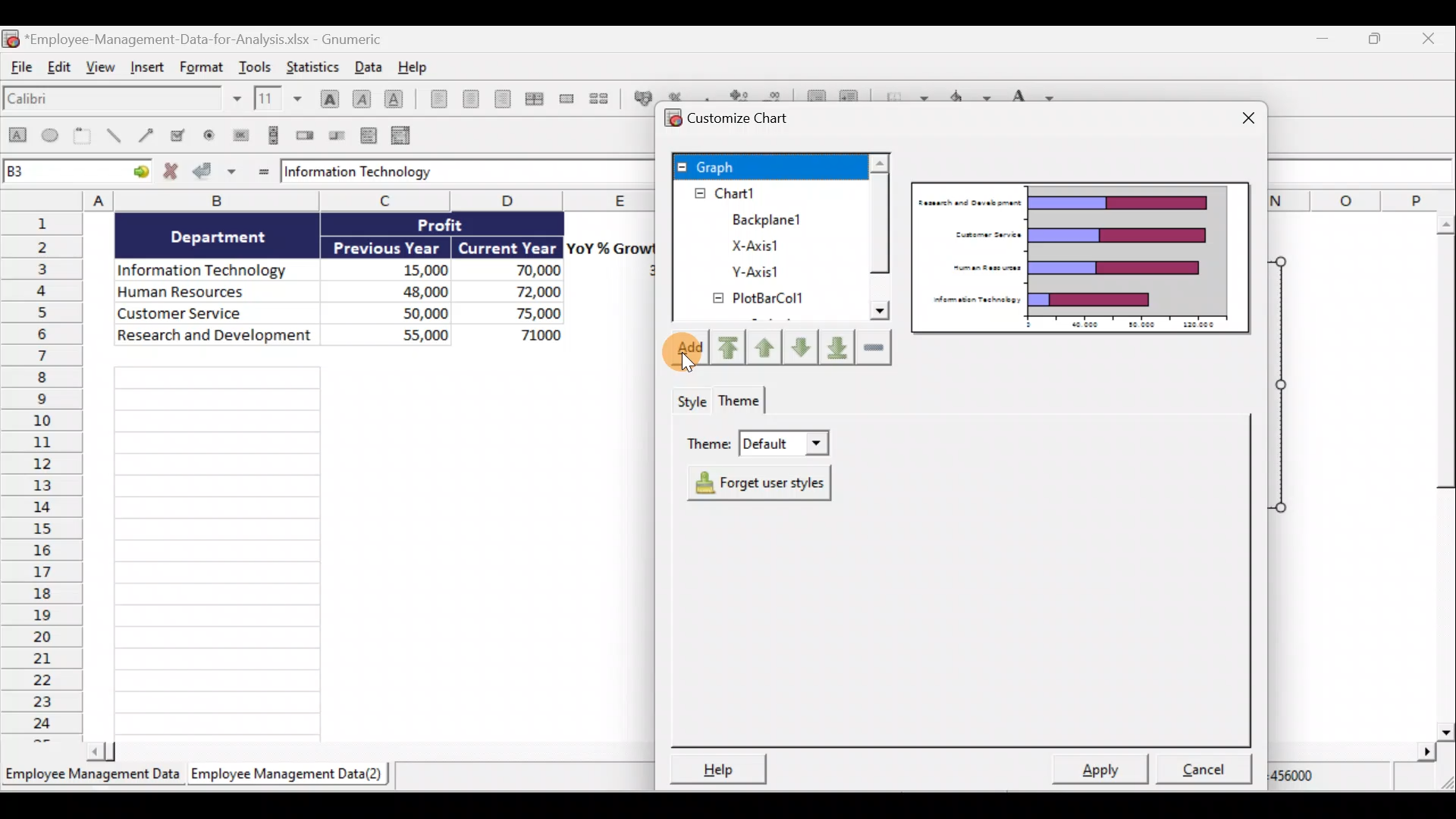 Image resolution: width=1456 pixels, height=819 pixels. What do you see at coordinates (1099, 771) in the screenshot?
I see `Apply` at bounding box center [1099, 771].